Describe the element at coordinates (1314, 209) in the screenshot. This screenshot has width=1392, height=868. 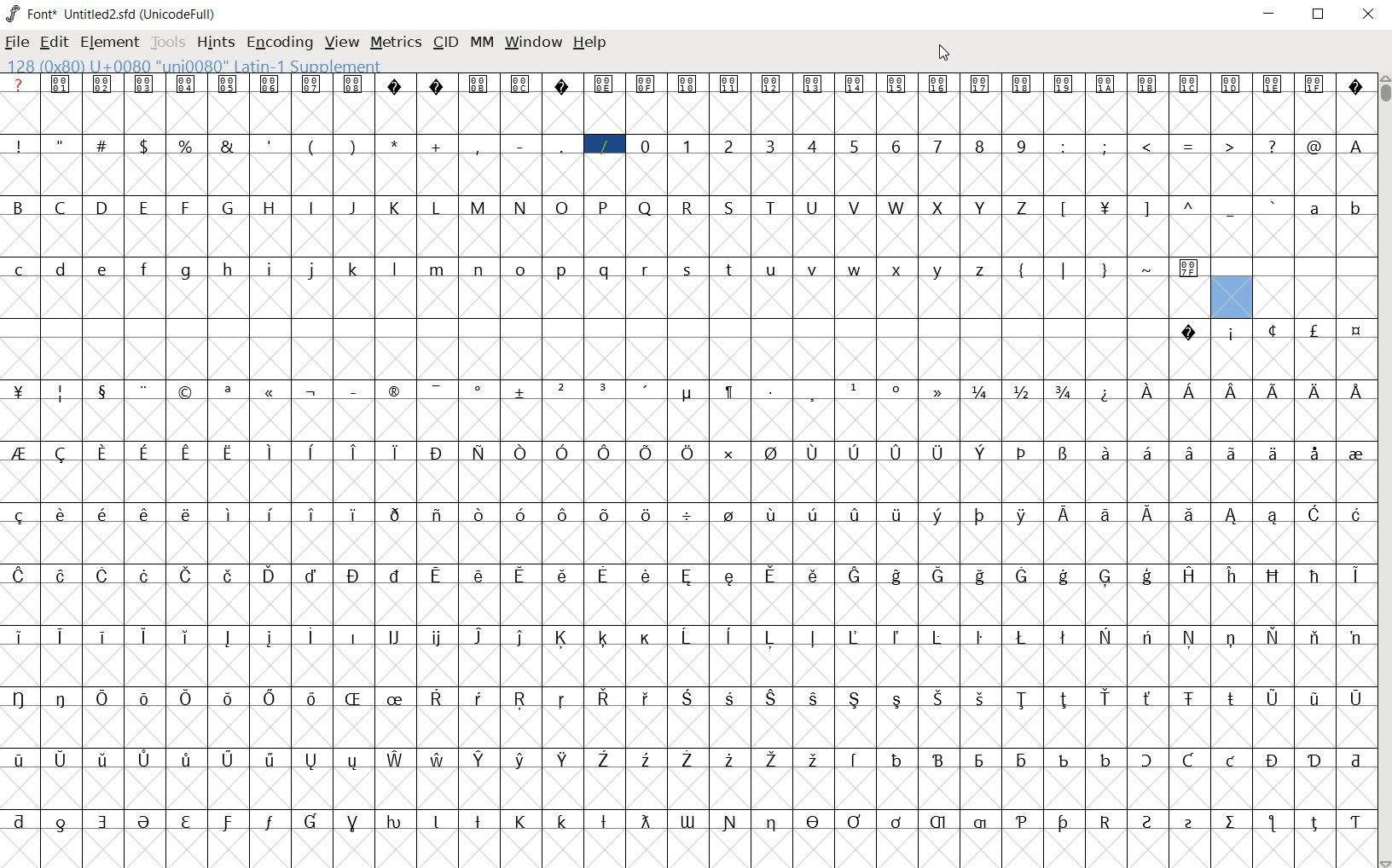
I see `glyph` at that location.